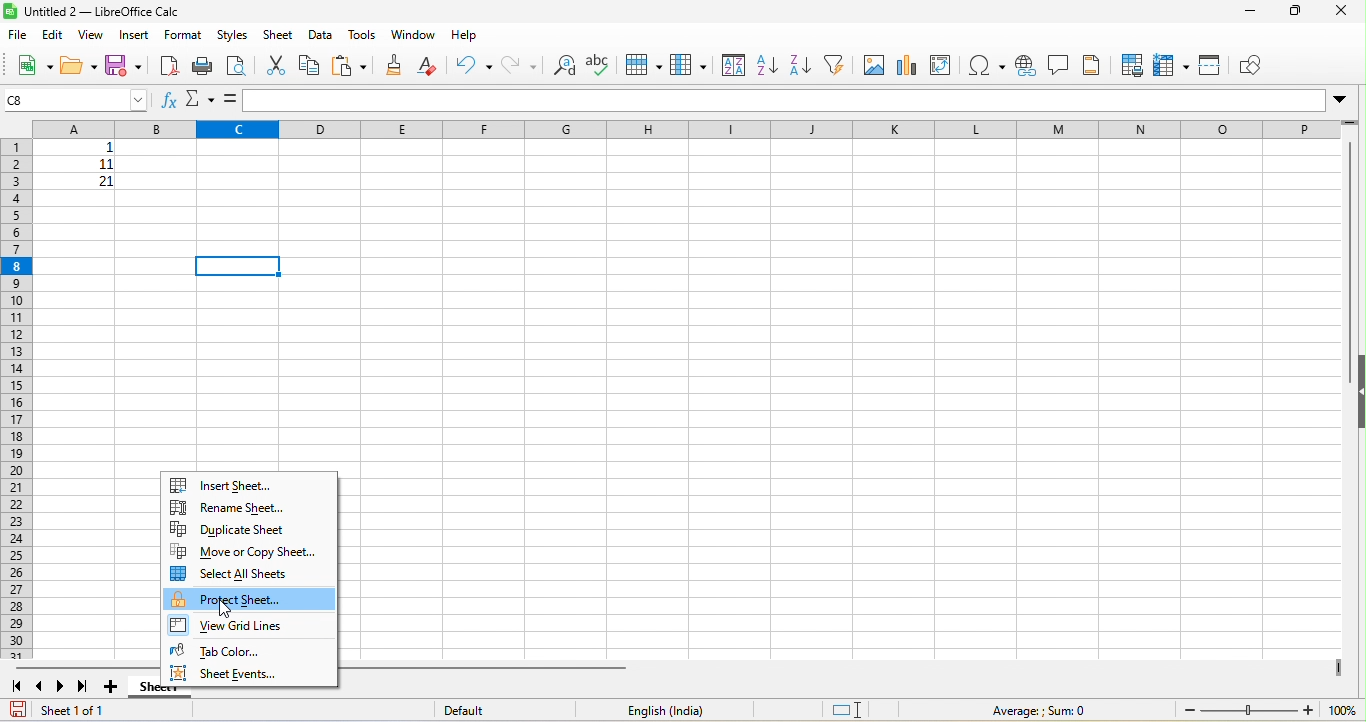 Image resolution: width=1366 pixels, height=722 pixels. Describe the element at coordinates (33, 68) in the screenshot. I see `new` at that location.